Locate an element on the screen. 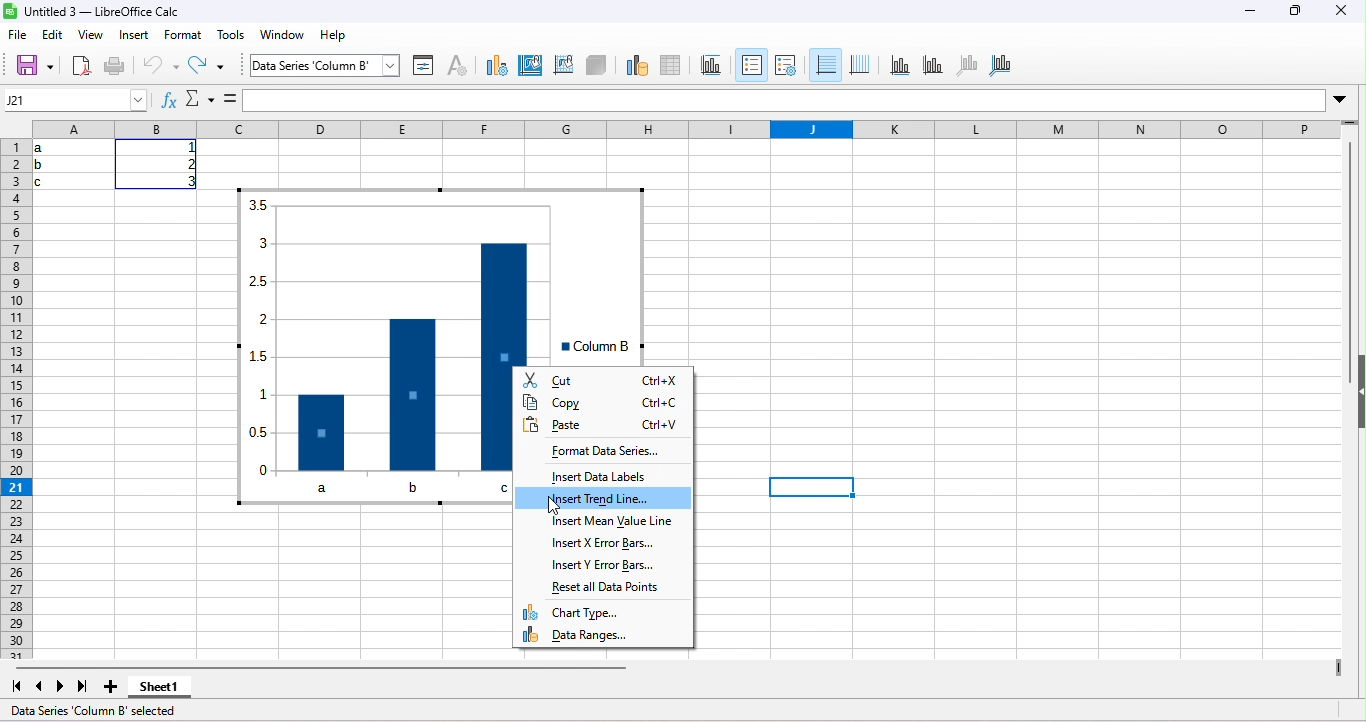 This screenshot has height=722, width=1366. titles is located at coordinates (712, 65).